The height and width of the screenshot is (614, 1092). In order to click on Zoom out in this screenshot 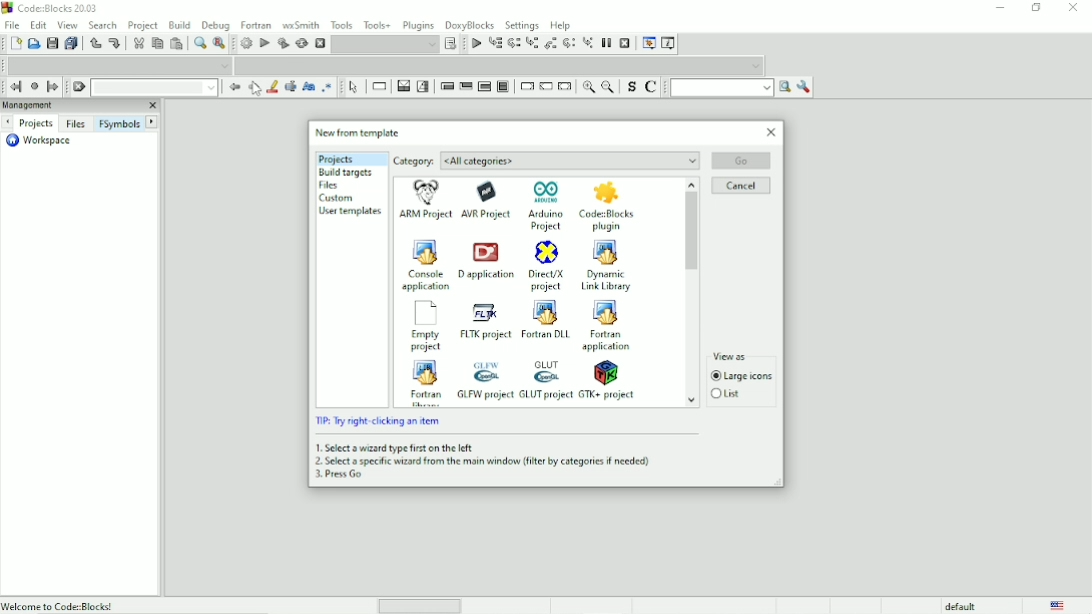, I will do `click(607, 86)`.